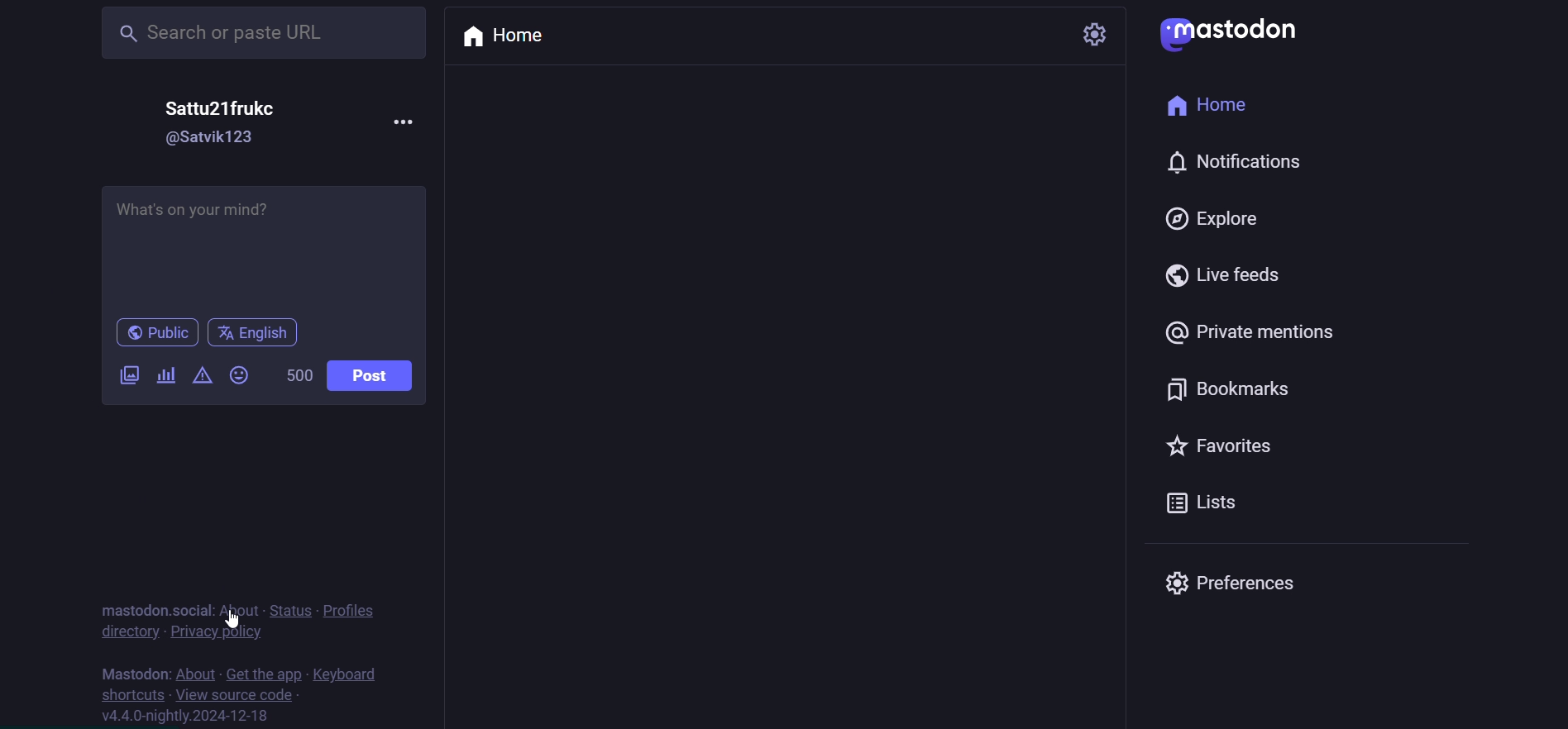  Describe the element at coordinates (148, 609) in the screenshot. I see `mastodon social` at that location.